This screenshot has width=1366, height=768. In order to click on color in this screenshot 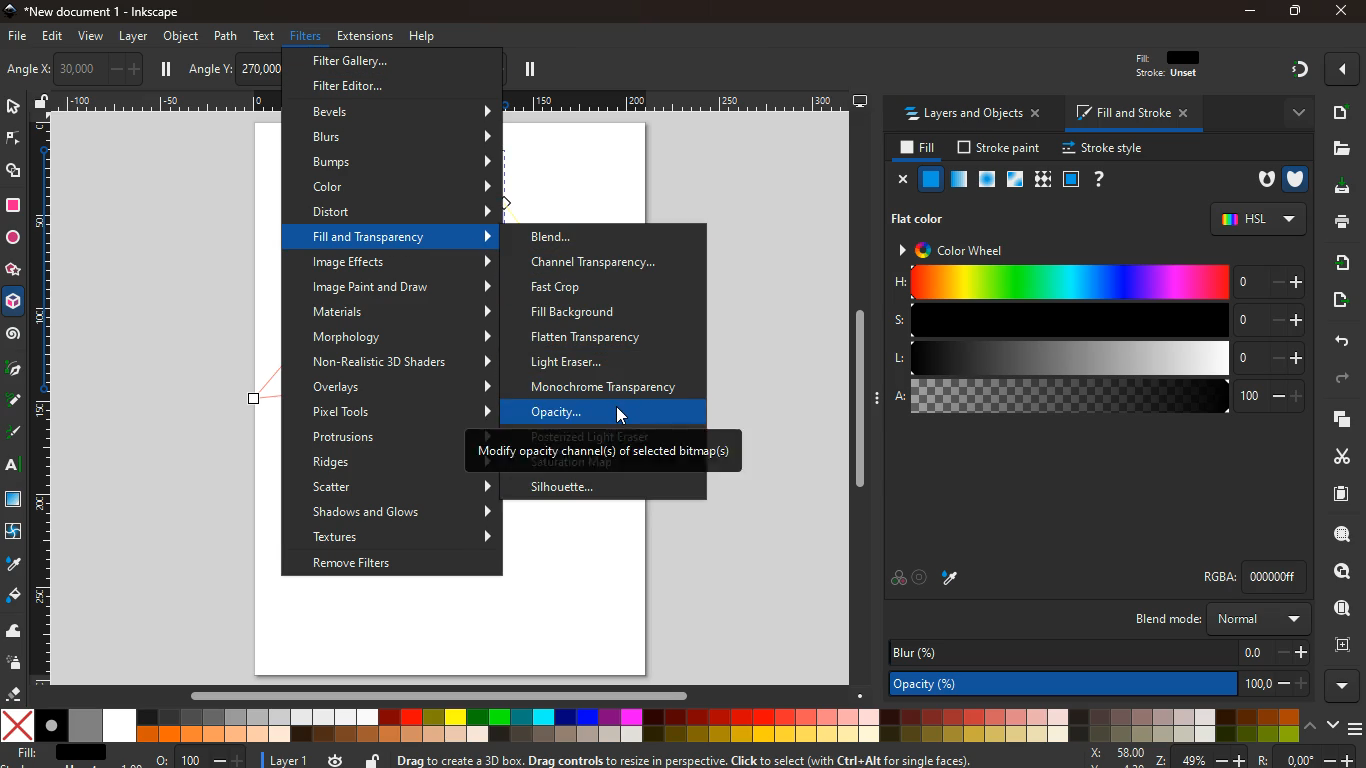, I will do `click(897, 580)`.